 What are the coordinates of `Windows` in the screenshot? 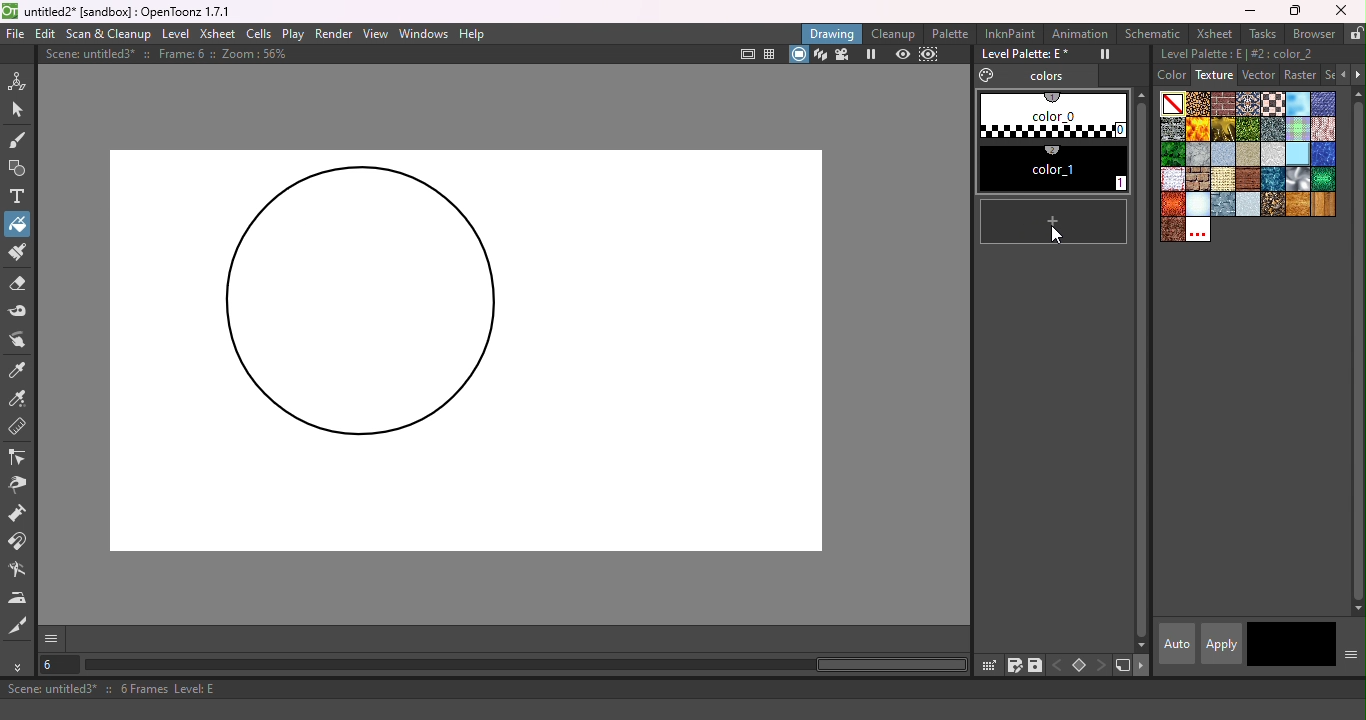 It's located at (424, 33).